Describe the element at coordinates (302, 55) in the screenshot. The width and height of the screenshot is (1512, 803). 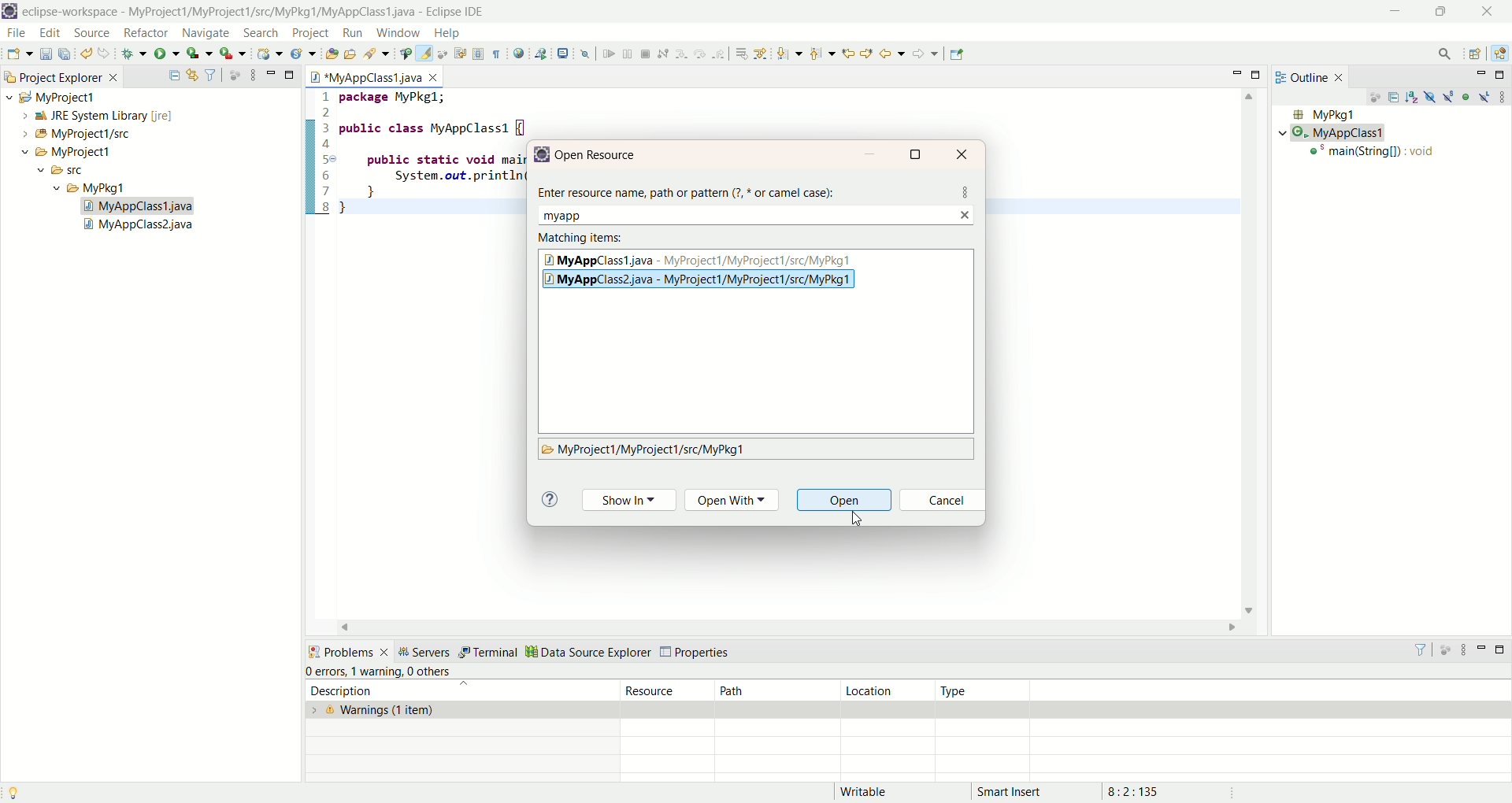
I see `create a new Java servlet` at that location.